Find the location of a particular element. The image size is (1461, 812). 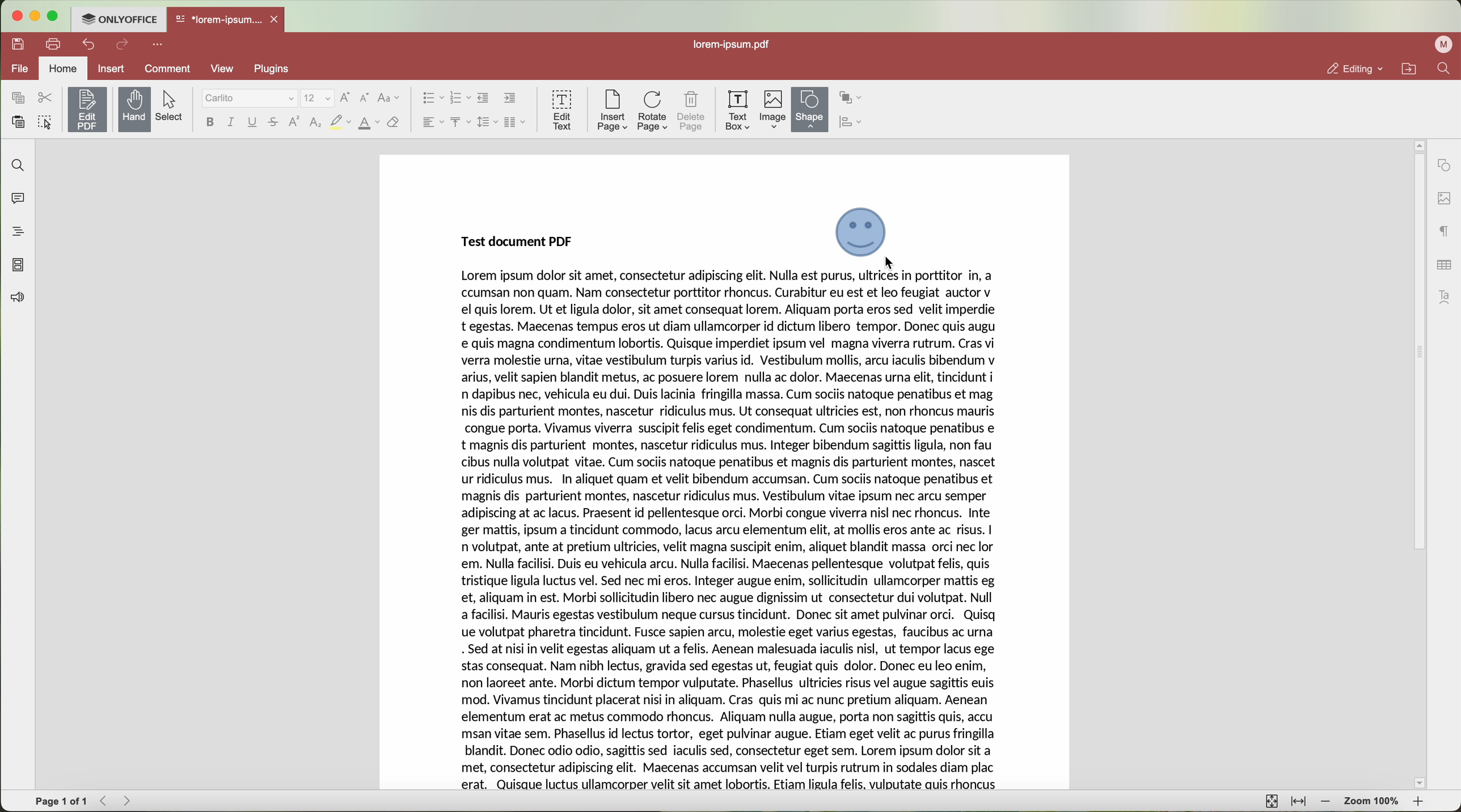

Text Art settings is located at coordinates (1446, 295).